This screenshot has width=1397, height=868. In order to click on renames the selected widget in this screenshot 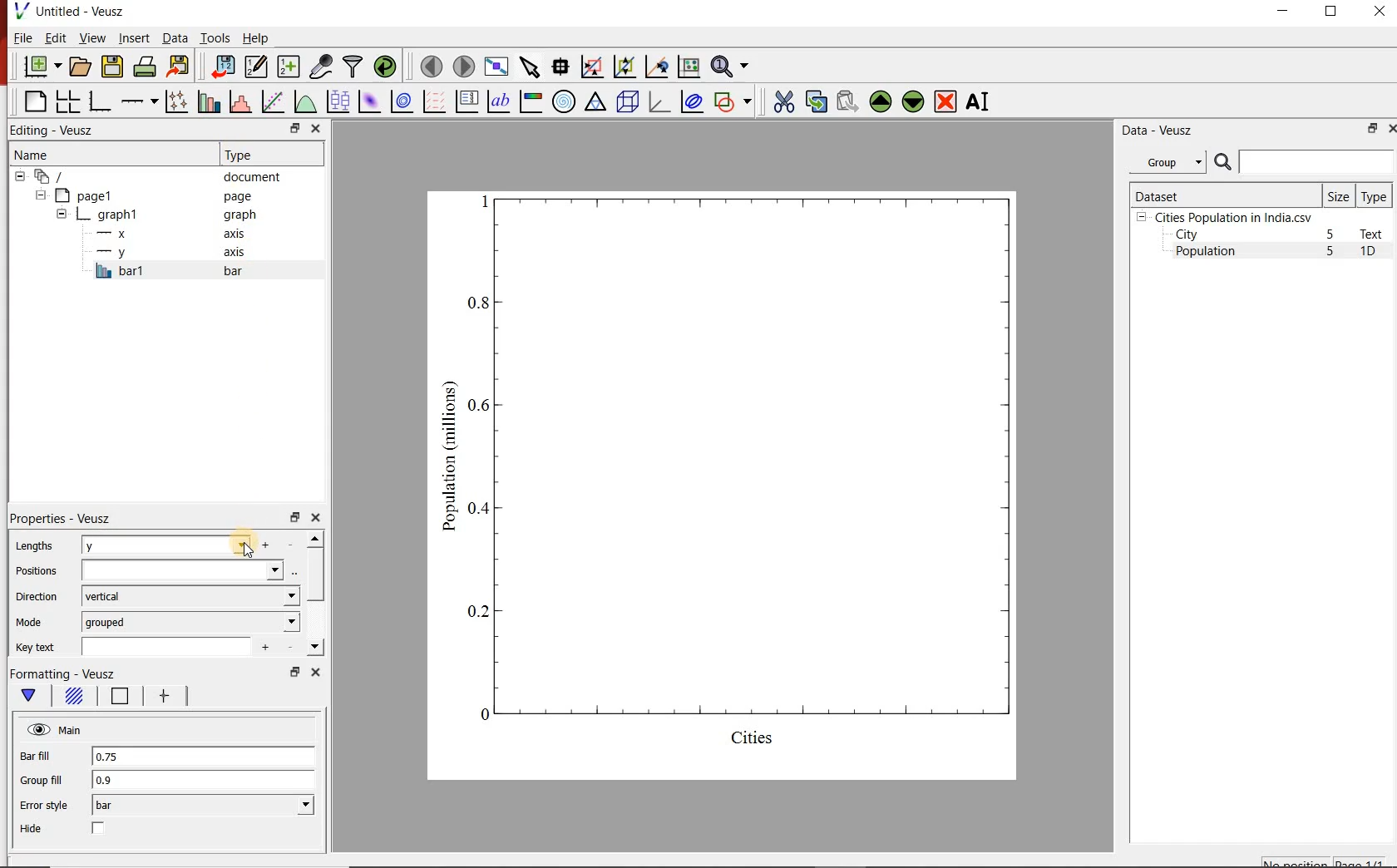, I will do `click(979, 101)`.